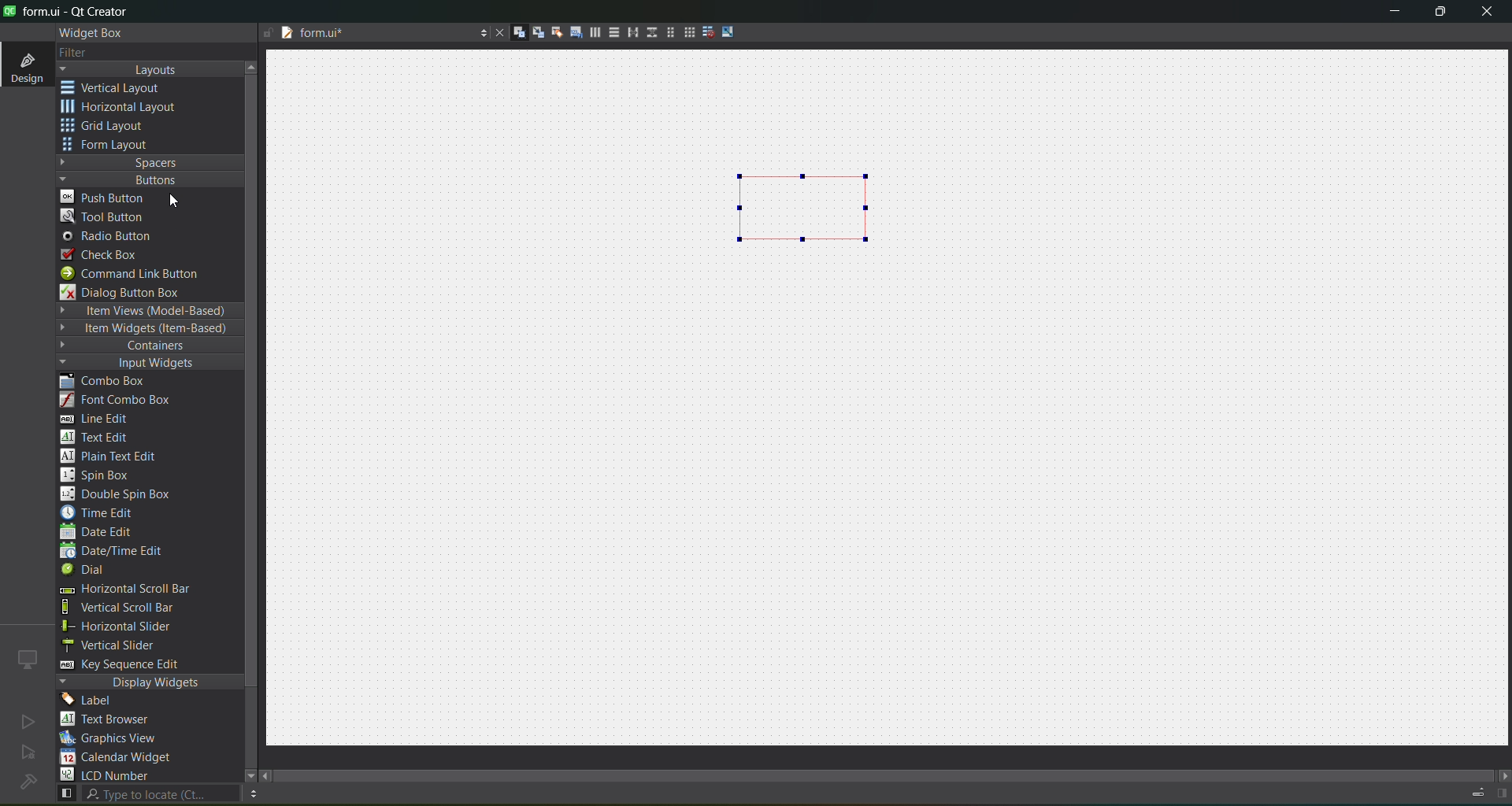 This screenshot has height=806, width=1512. What do you see at coordinates (99, 436) in the screenshot?
I see `text edit` at bounding box center [99, 436].